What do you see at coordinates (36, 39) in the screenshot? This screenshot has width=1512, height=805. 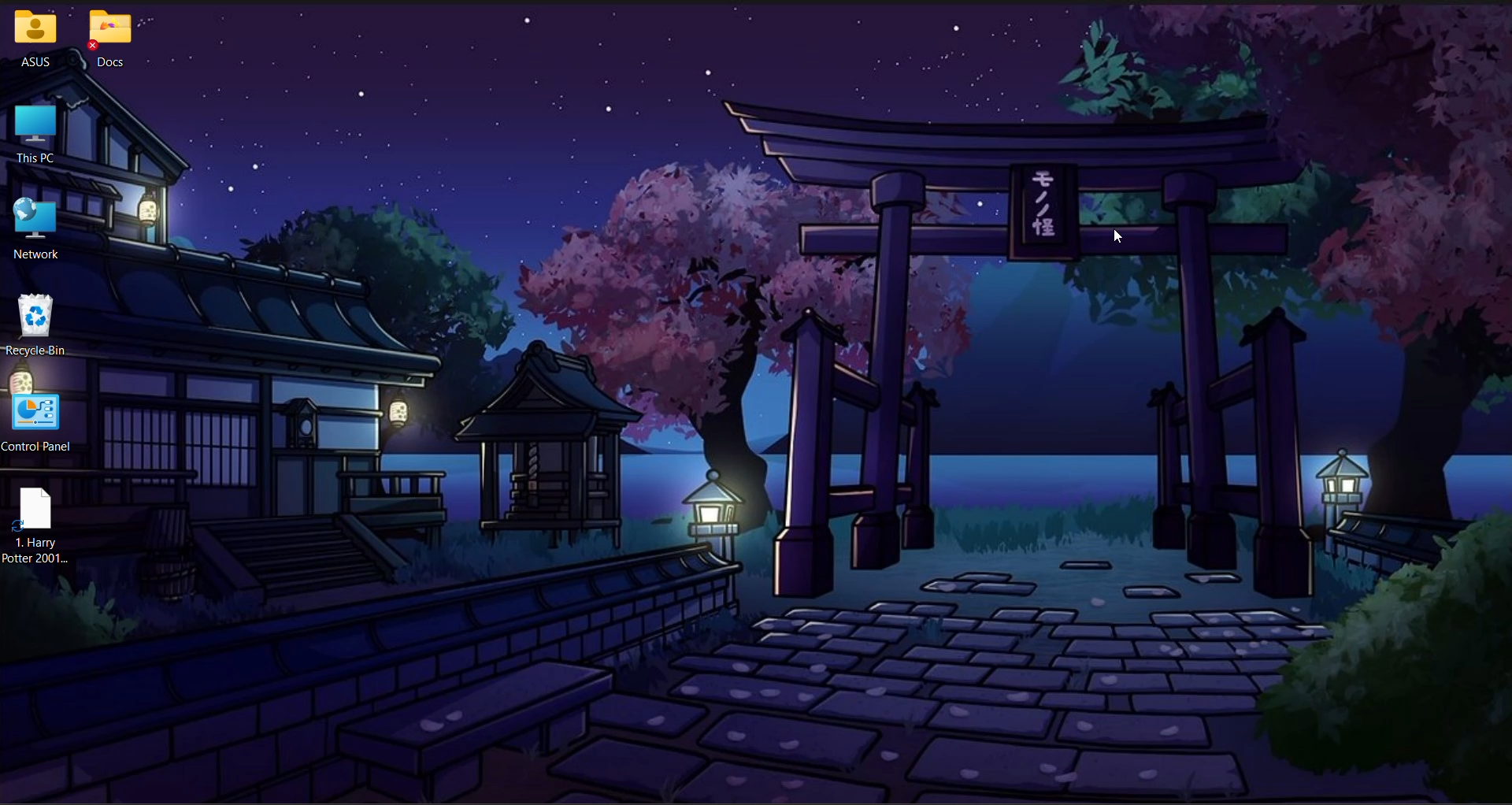 I see `ASUS folder` at bounding box center [36, 39].